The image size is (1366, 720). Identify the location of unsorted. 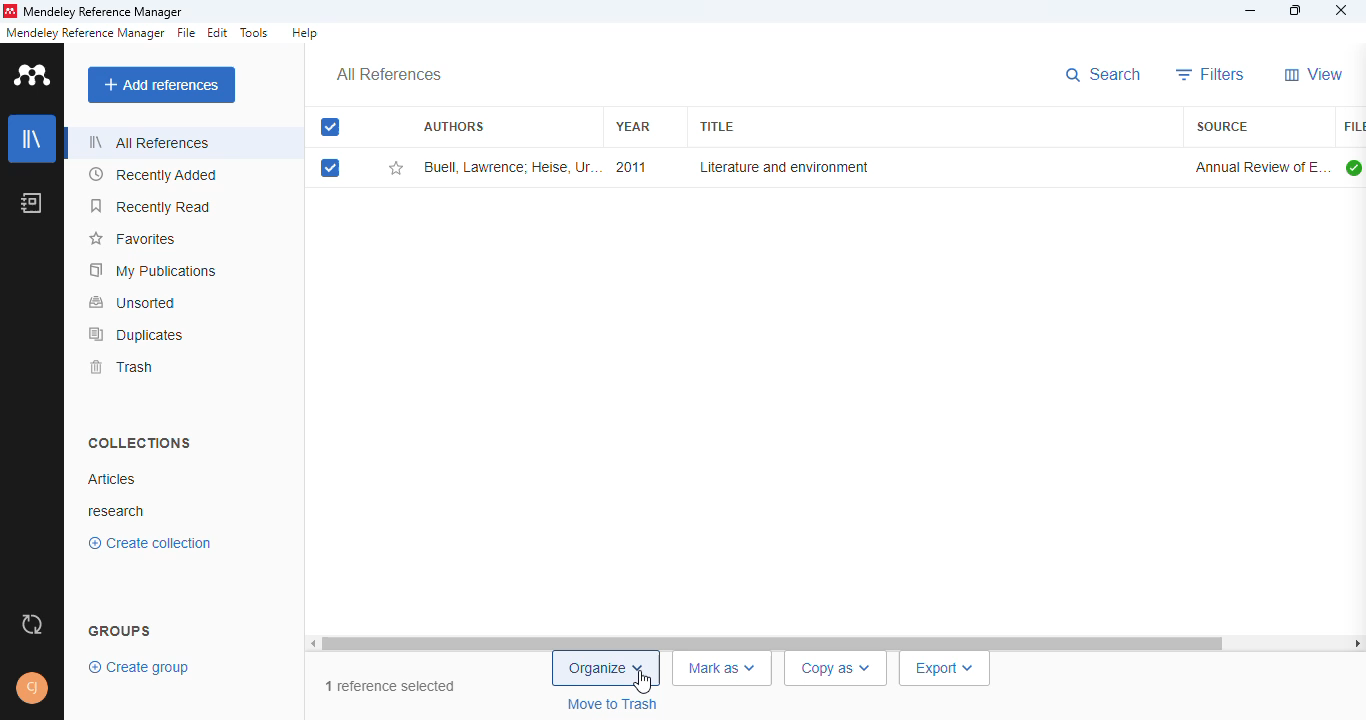
(134, 303).